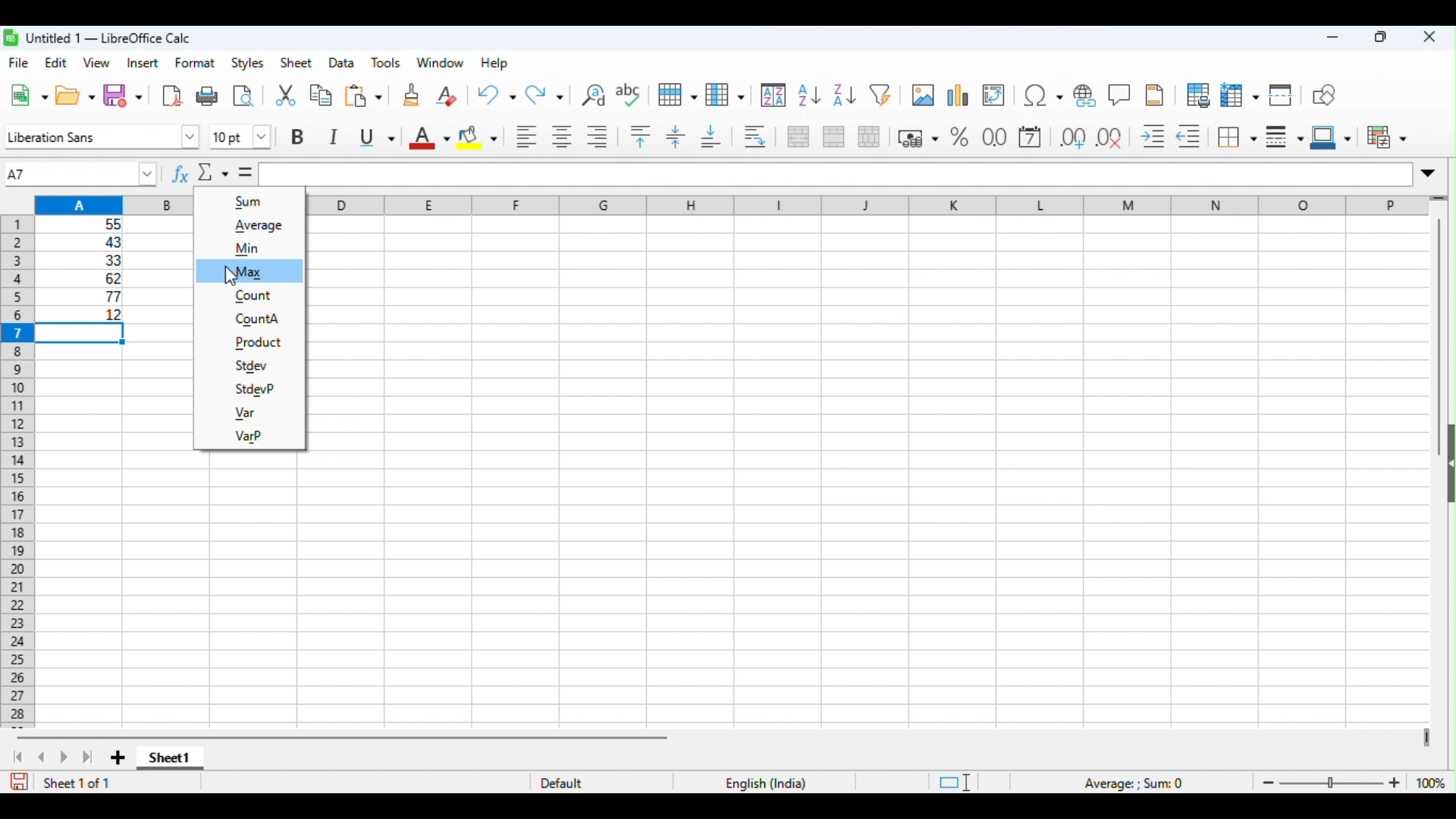  I want to click on increase indent, so click(1156, 137).